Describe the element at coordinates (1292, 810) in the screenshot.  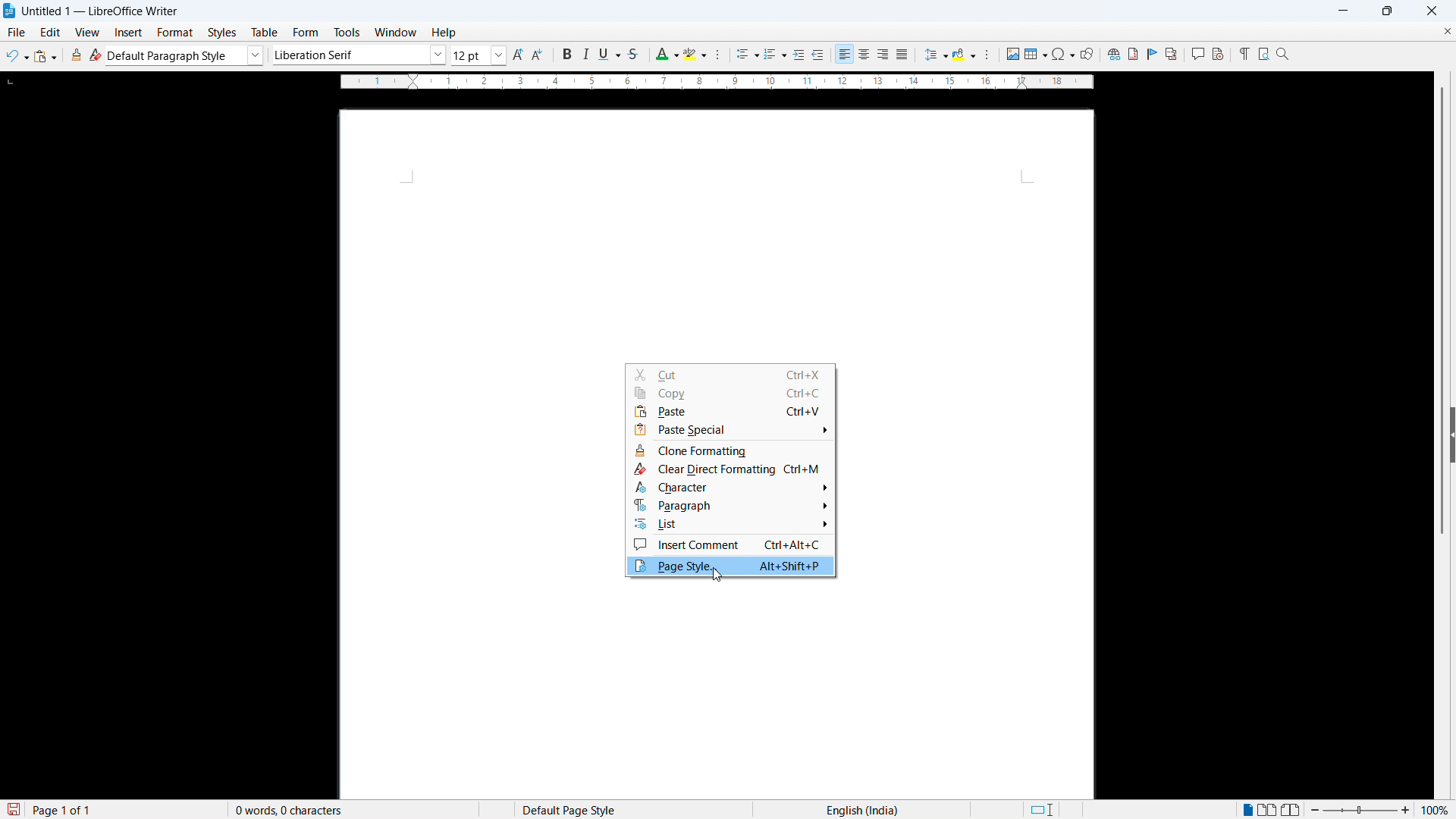
I see `Bookview ` at that location.